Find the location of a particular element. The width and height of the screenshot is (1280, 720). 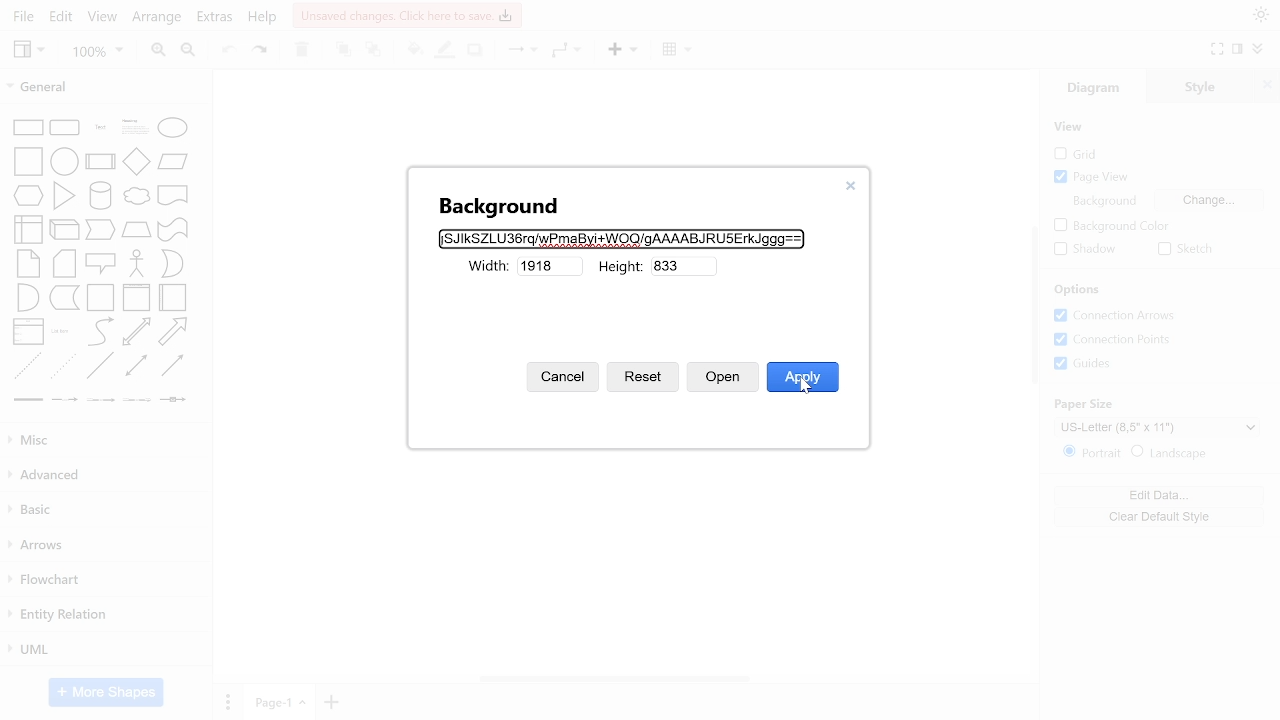

UML is located at coordinates (101, 649).